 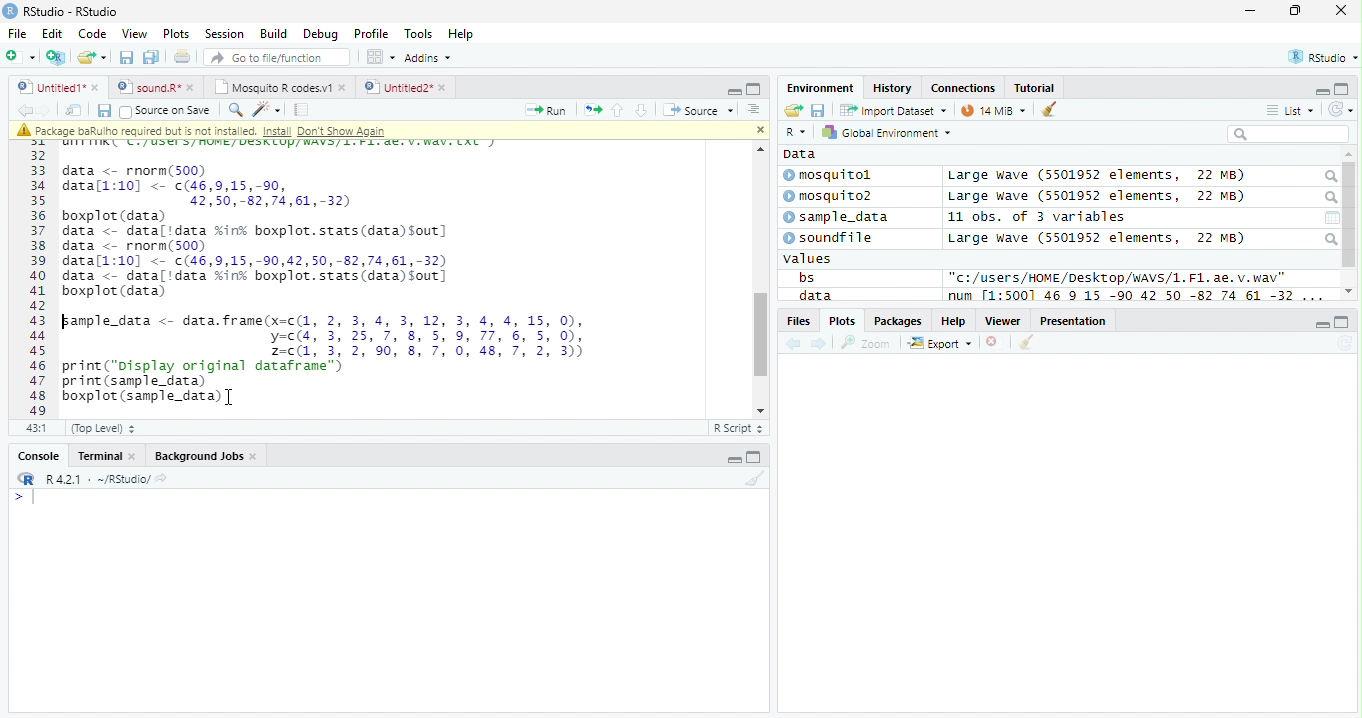 I want to click on R, so click(x=798, y=132).